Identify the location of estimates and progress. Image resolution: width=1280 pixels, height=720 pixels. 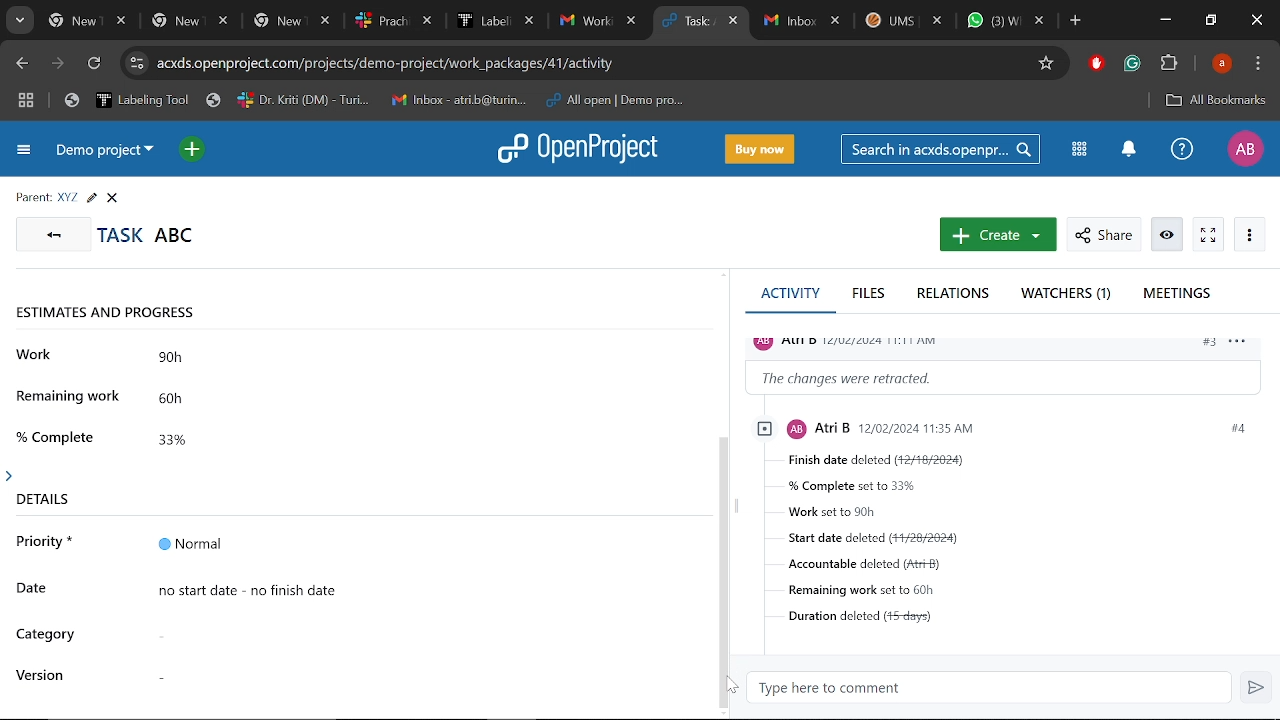
(117, 314).